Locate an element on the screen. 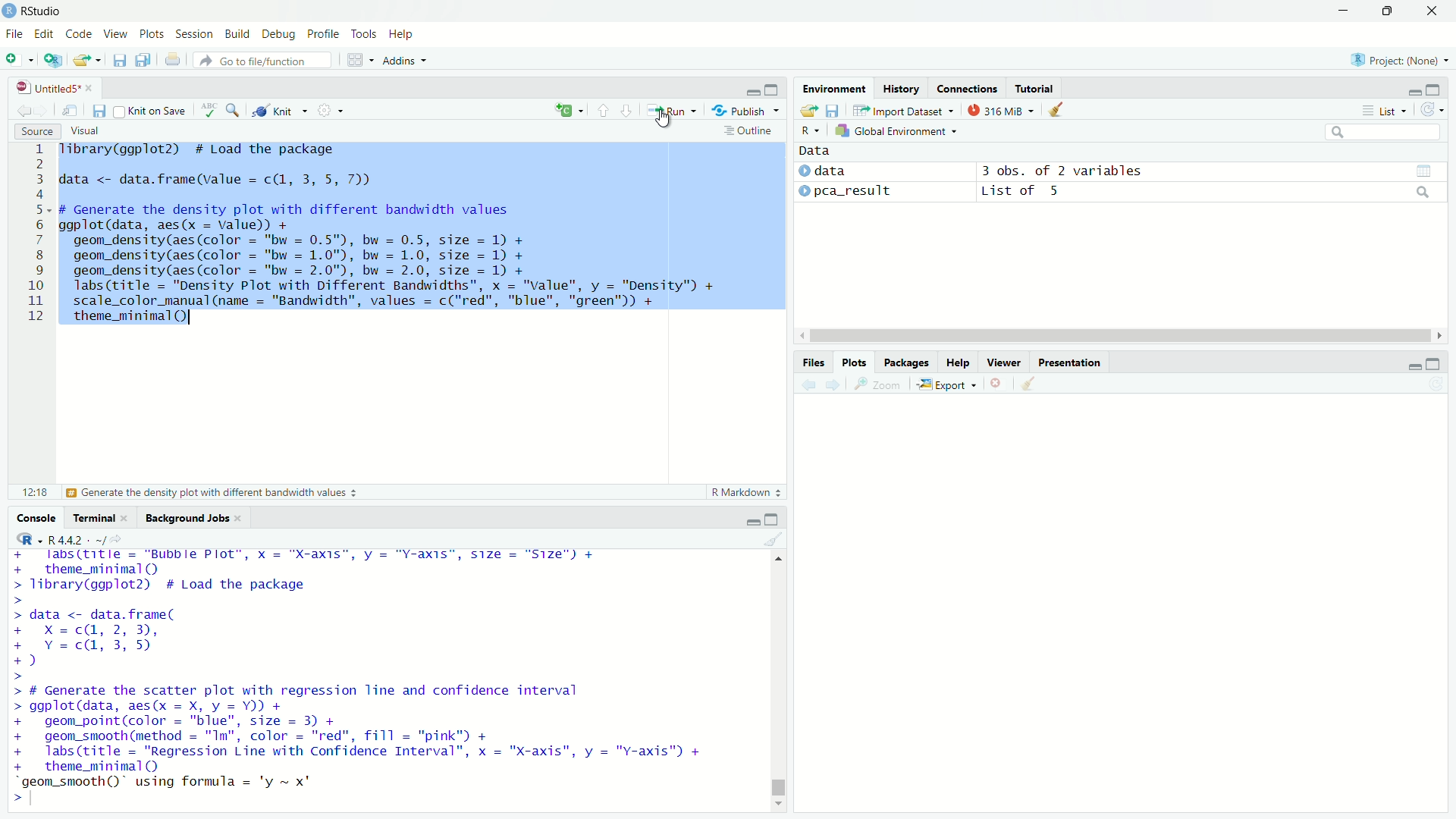 This screenshot has width=1456, height=819. R 4.4.2 .~/ is located at coordinates (77, 538).